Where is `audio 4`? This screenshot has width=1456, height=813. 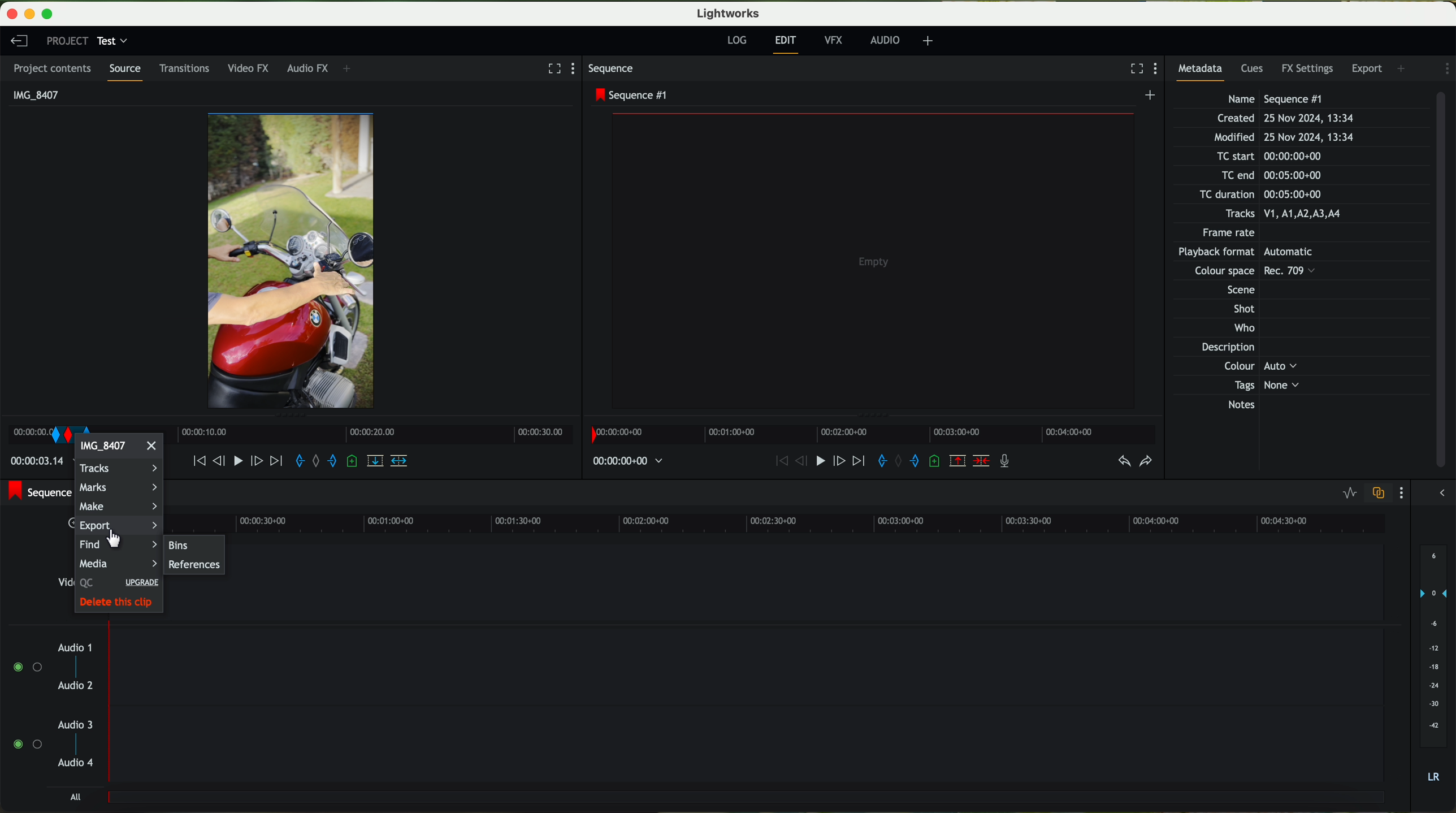 audio 4 is located at coordinates (76, 766).